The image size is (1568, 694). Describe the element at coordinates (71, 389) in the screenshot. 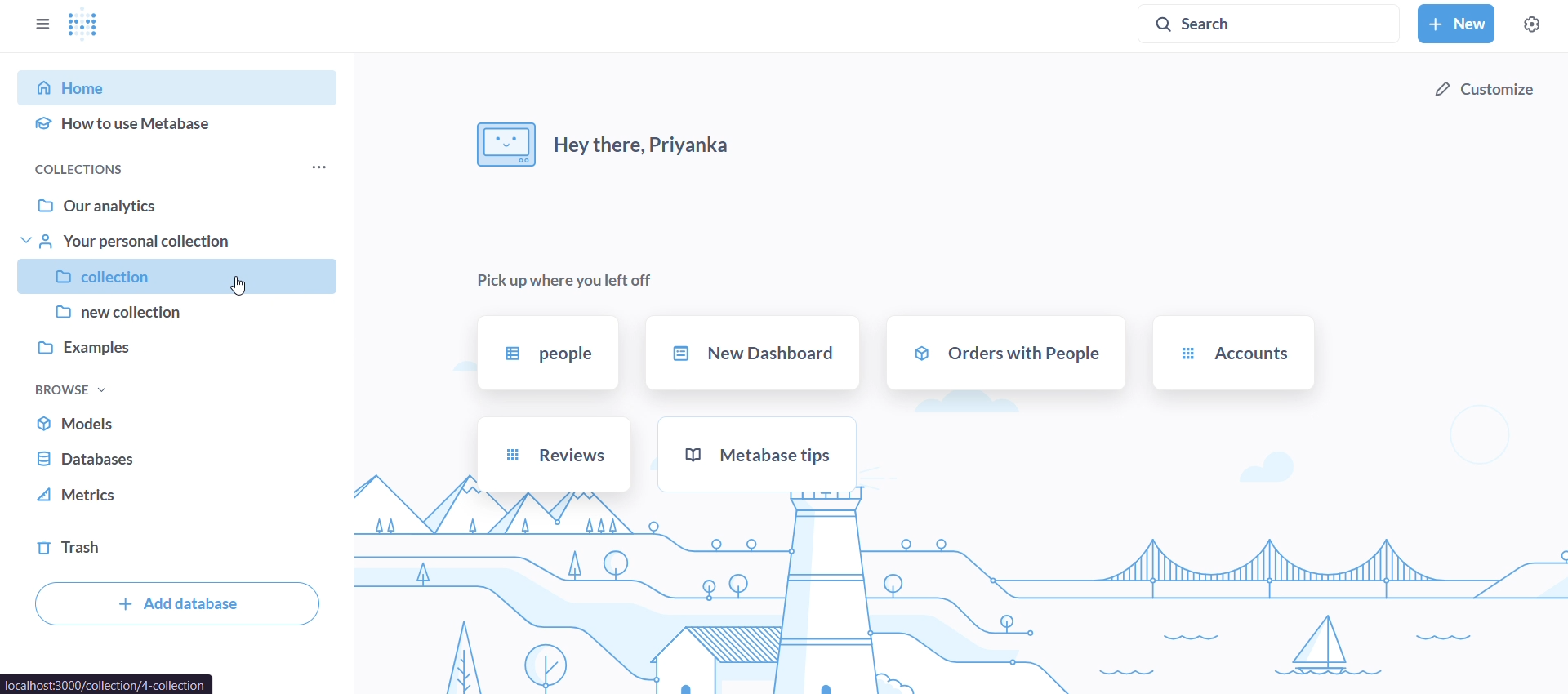

I see `browse` at that location.